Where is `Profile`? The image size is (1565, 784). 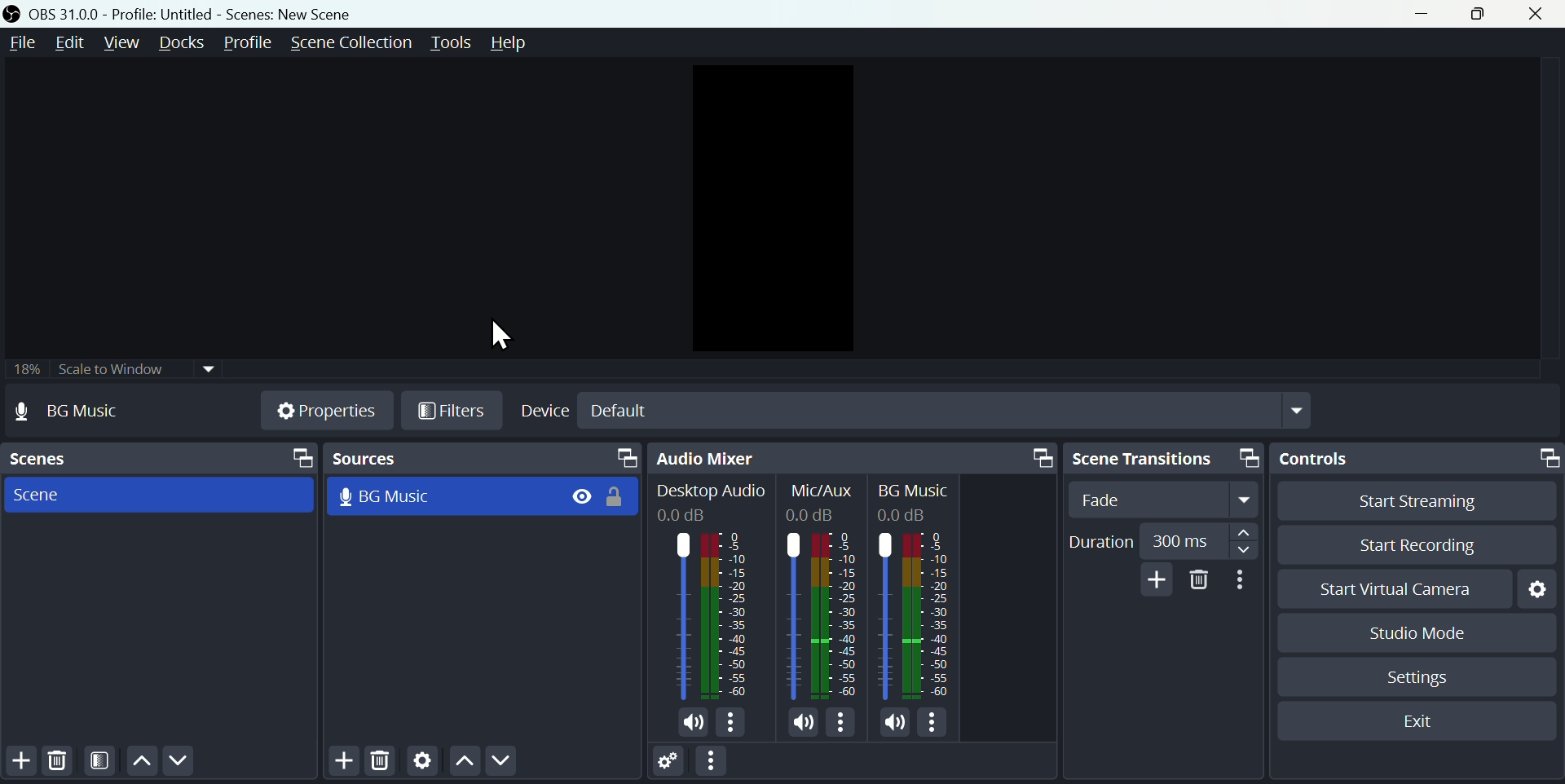 Profile is located at coordinates (247, 41).